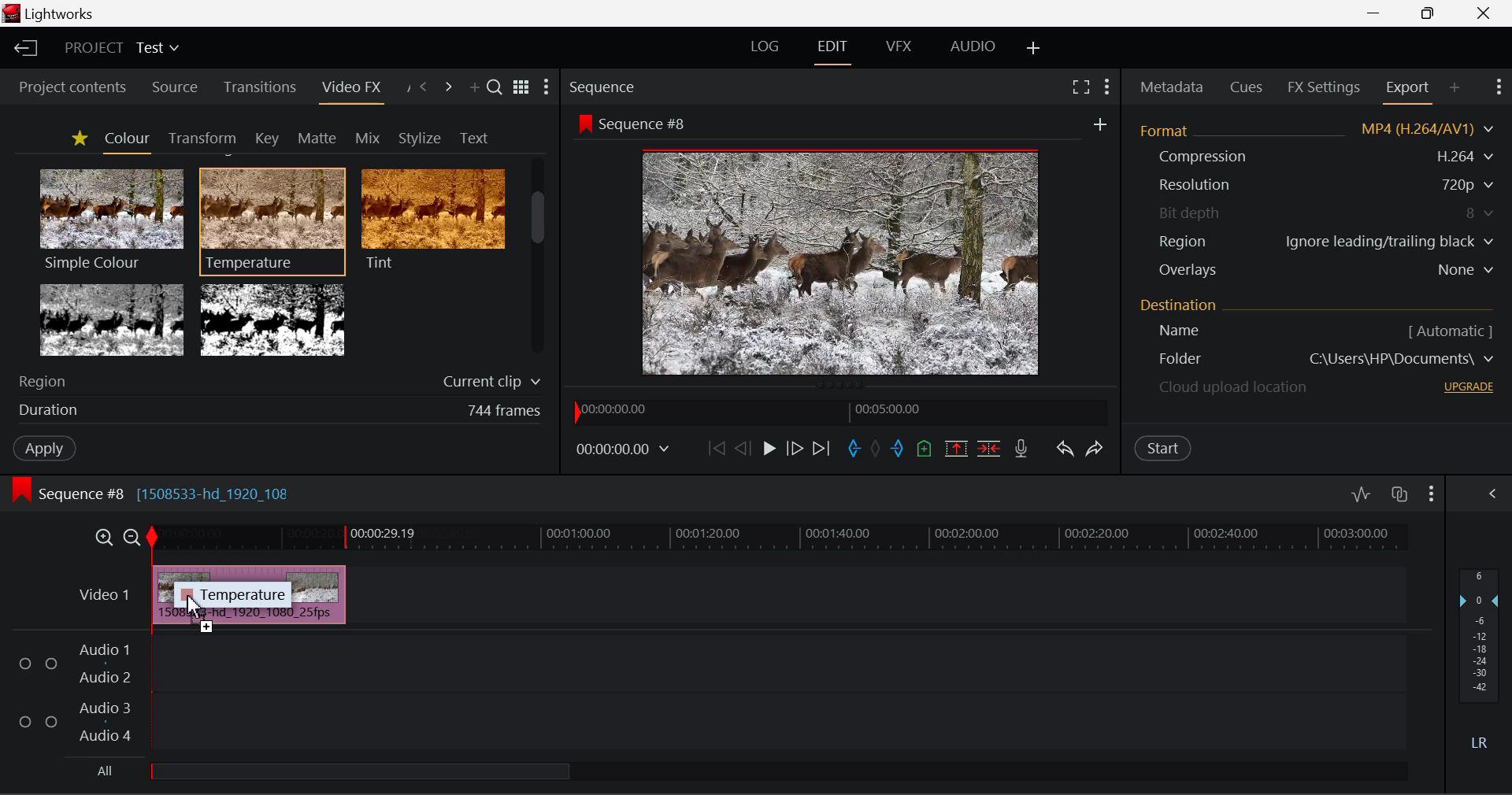 This screenshot has height=795, width=1512. I want to click on Resolution, so click(1195, 185).